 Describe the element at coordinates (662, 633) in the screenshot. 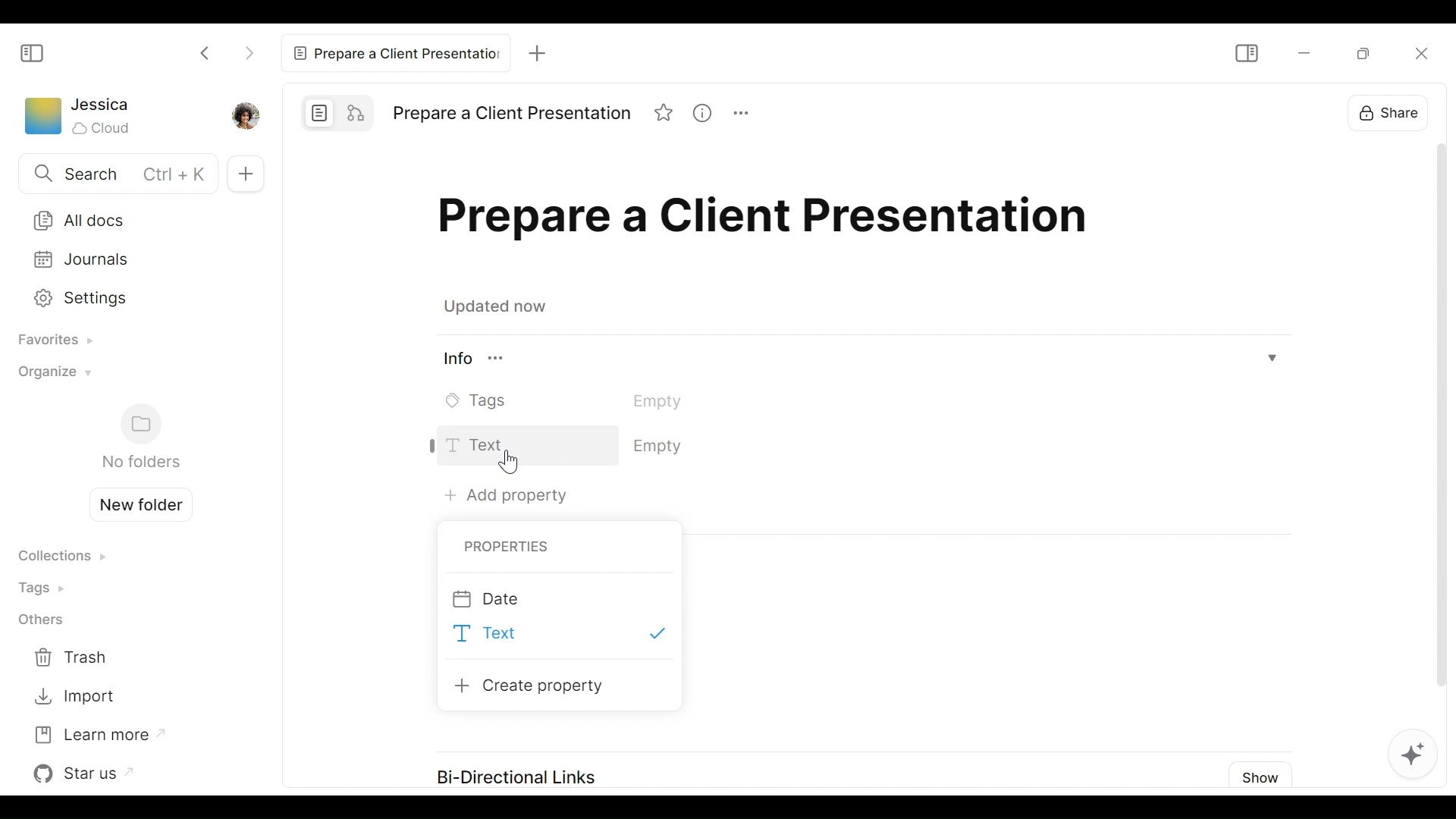

I see `Select` at that location.